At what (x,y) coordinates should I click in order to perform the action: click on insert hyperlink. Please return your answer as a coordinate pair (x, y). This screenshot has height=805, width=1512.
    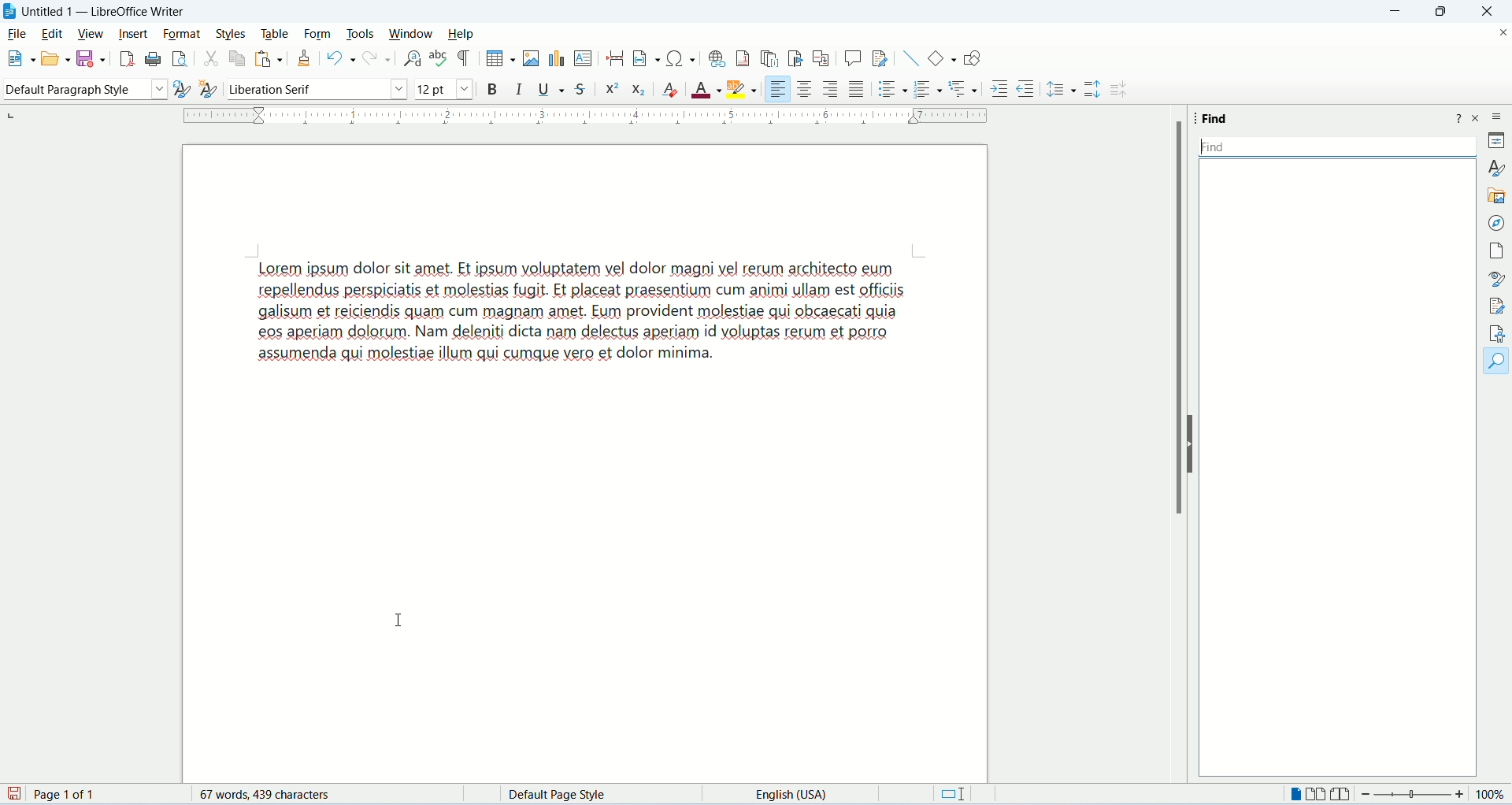
    Looking at the image, I should click on (715, 61).